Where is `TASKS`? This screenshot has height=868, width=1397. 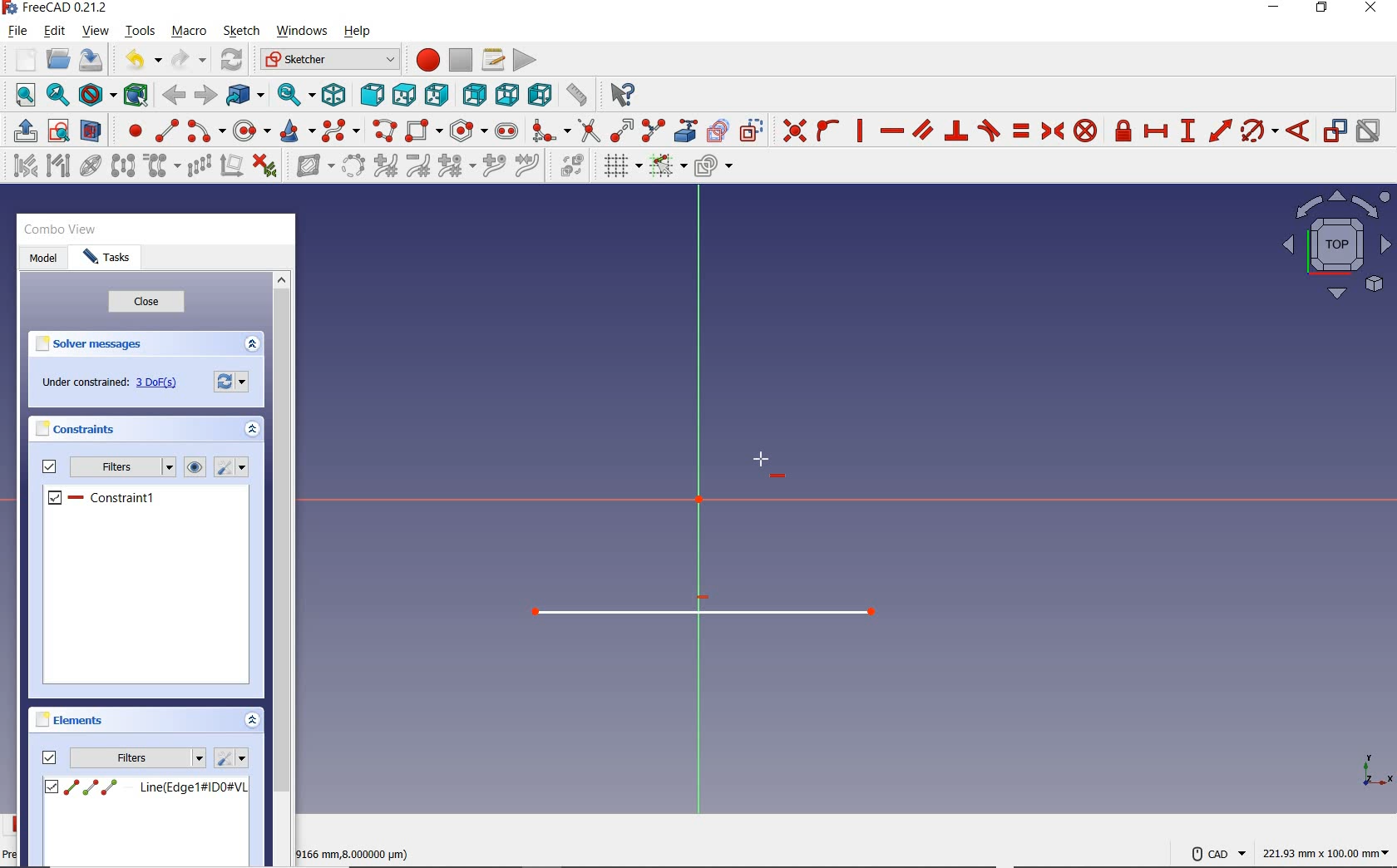 TASKS is located at coordinates (106, 259).